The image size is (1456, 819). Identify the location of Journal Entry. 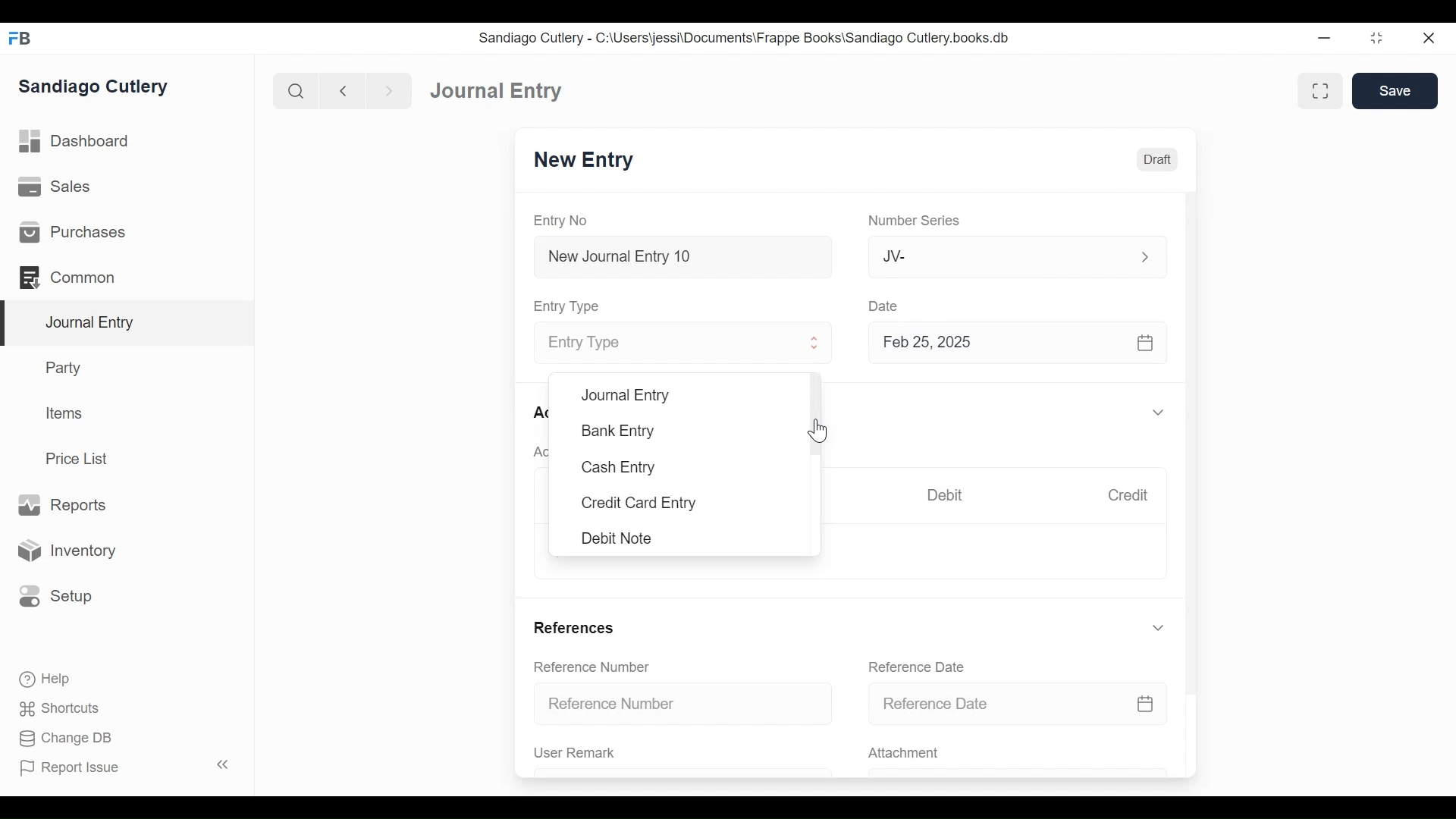
(128, 323).